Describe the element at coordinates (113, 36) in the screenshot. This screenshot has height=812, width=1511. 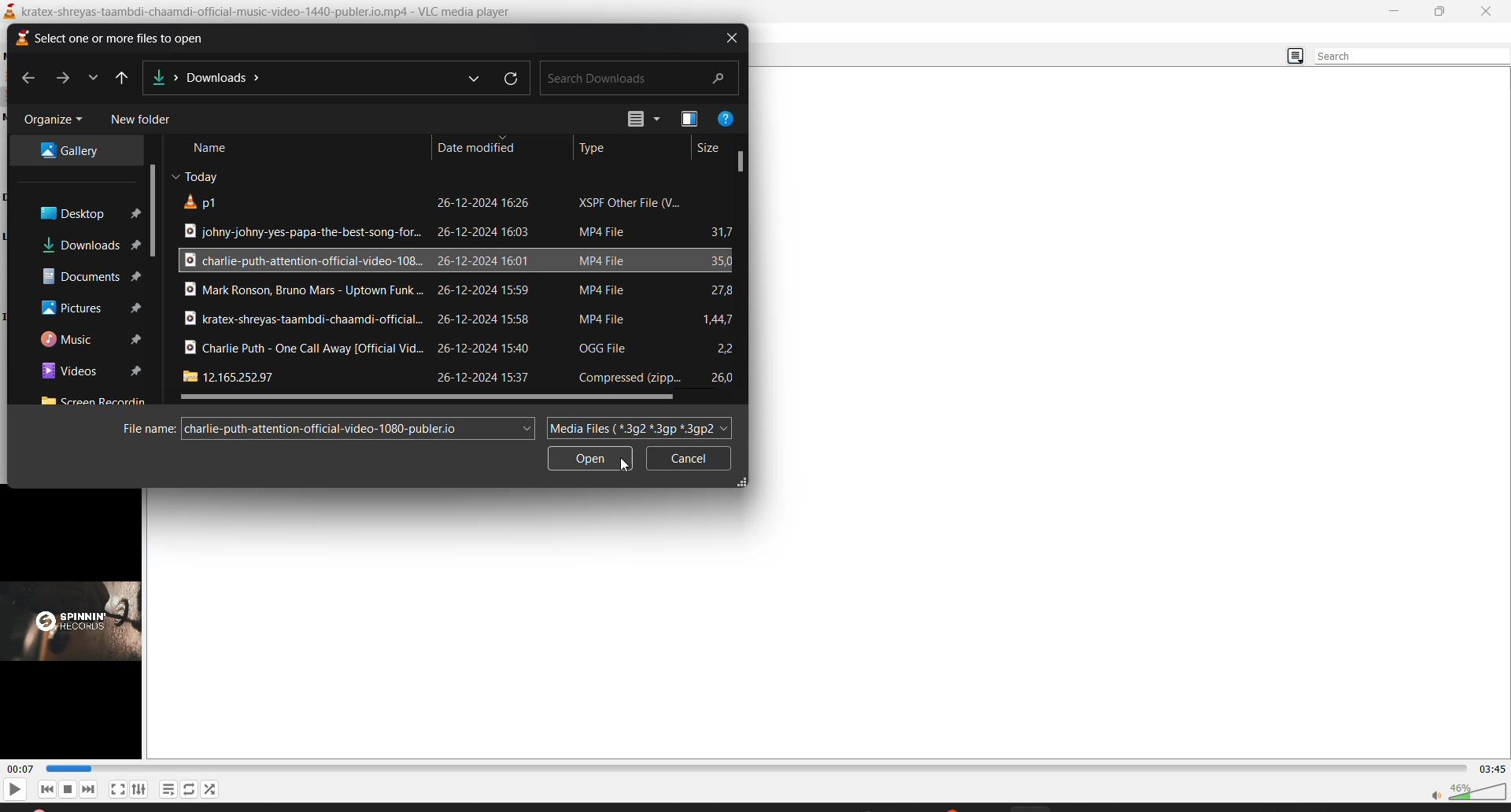
I see `select one or more files to open` at that location.